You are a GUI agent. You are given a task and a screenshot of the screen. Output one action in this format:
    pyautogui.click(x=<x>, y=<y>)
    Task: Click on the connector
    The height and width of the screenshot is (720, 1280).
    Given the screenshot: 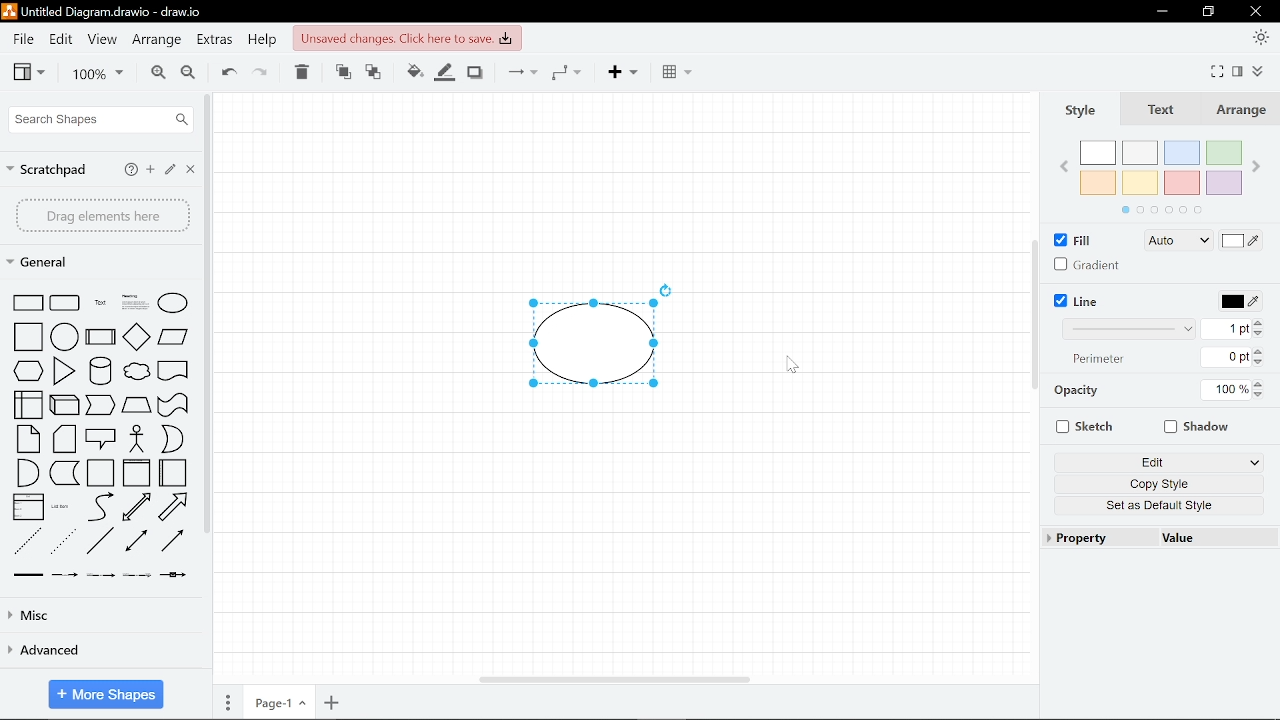 What is the action you would take?
    pyautogui.click(x=174, y=542)
    